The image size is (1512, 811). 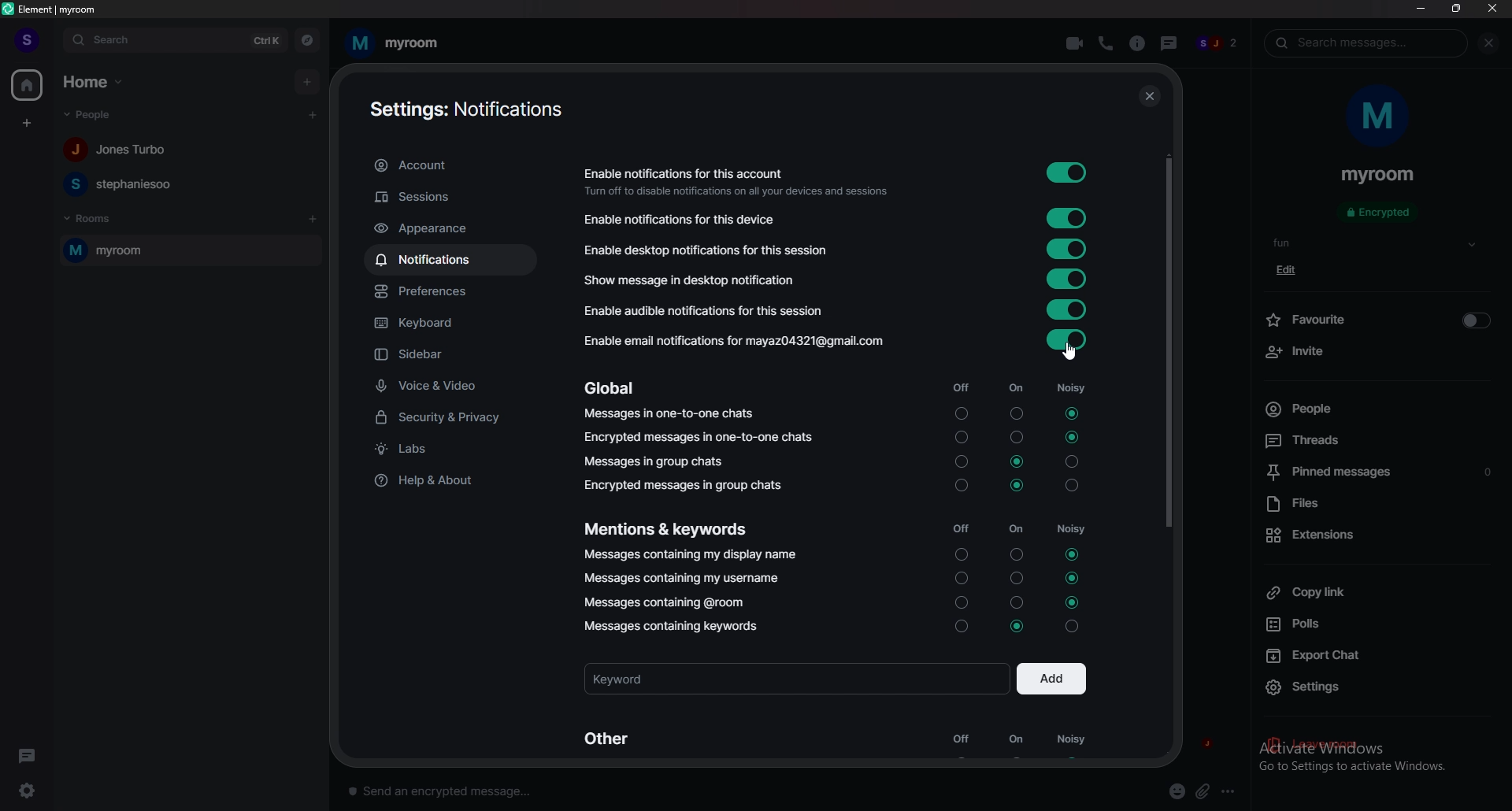 What do you see at coordinates (122, 183) in the screenshot?
I see `people` at bounding box center [122, 183].